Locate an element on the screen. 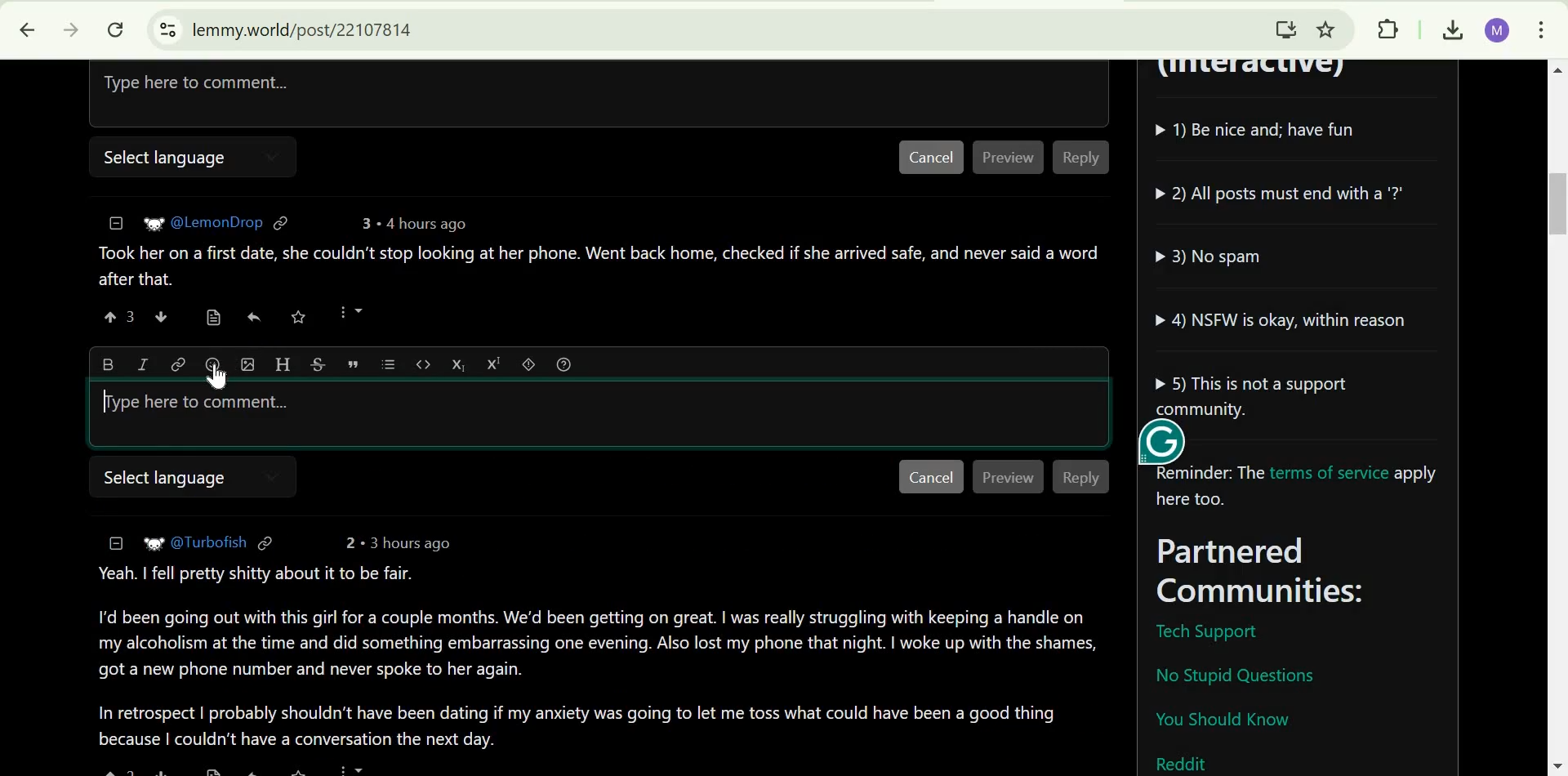 The image size is (1568, 776). link is located at coordinates (177, 363).